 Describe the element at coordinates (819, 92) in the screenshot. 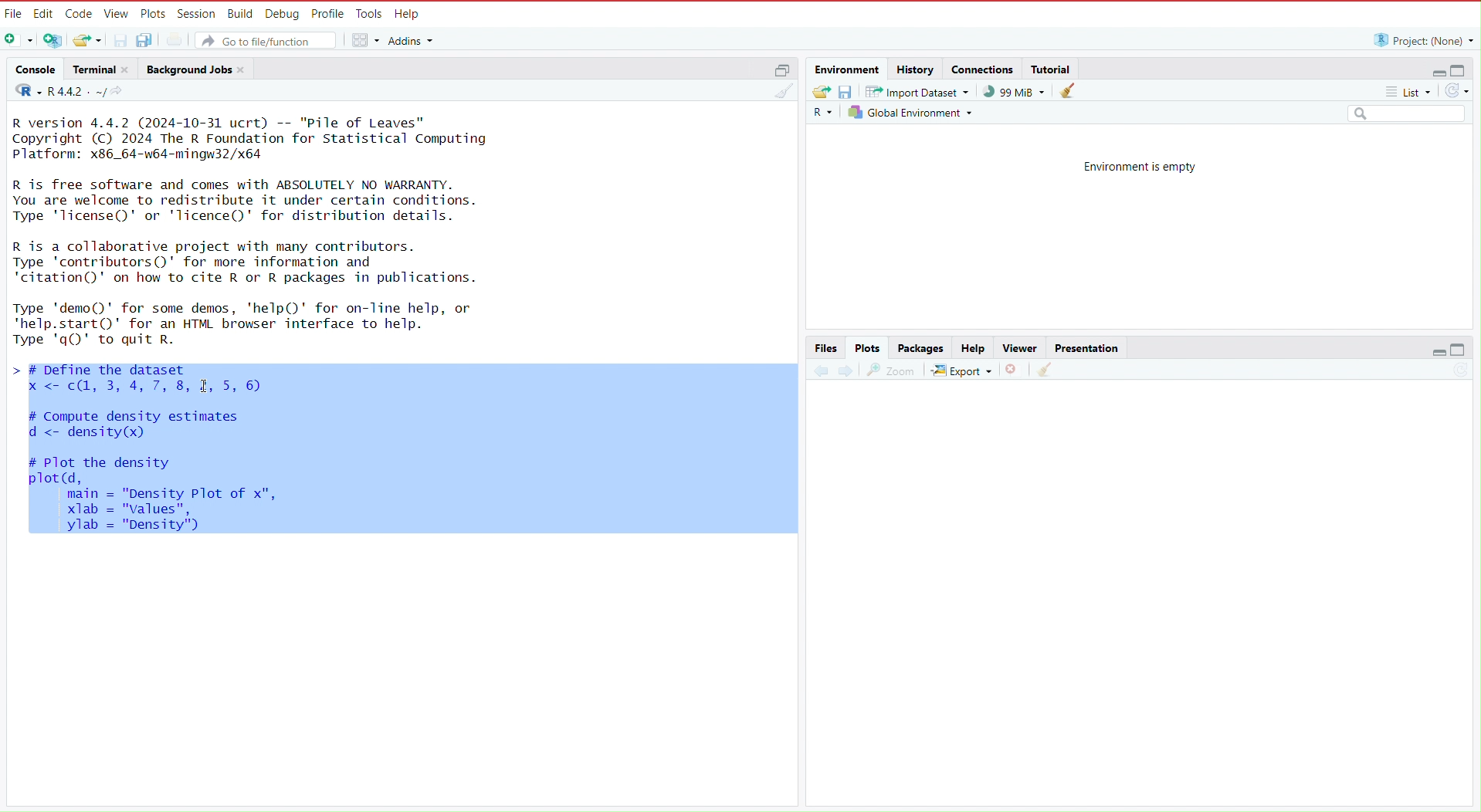

I see `load workspace` at that location.